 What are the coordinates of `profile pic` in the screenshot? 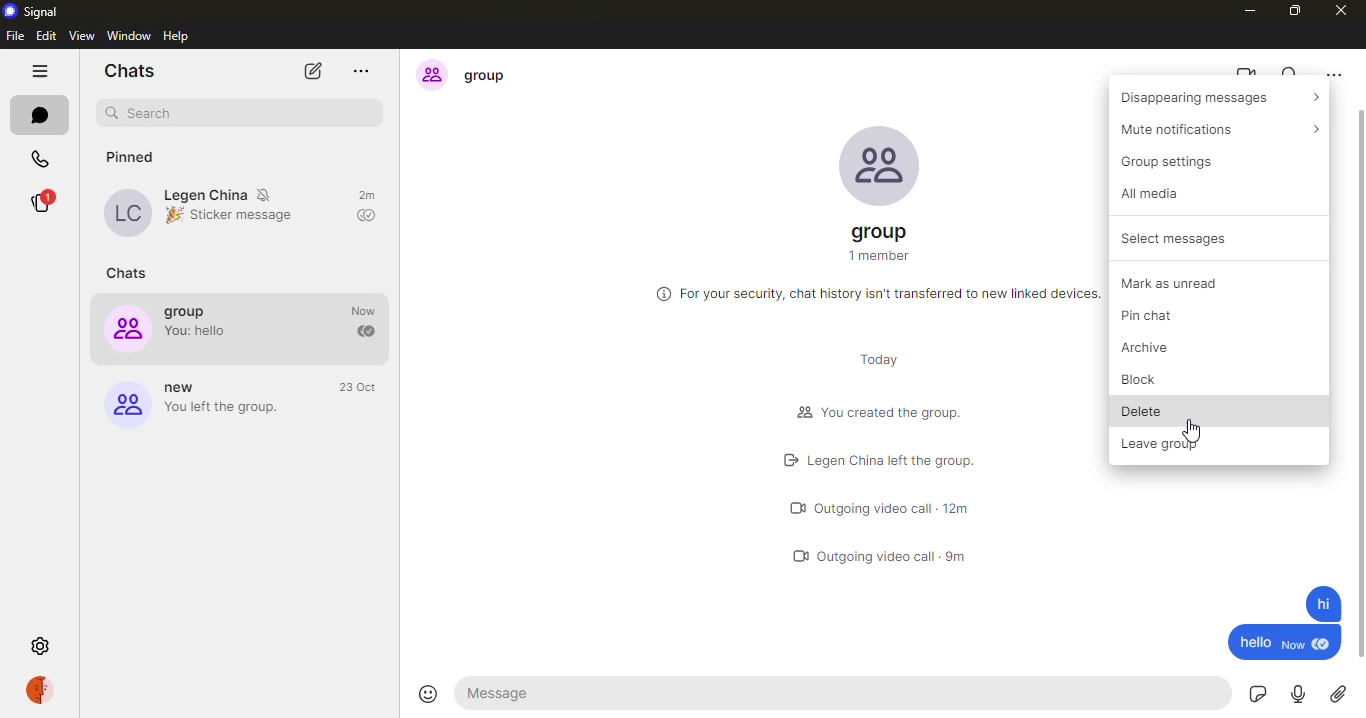 It's located at (882, 163).